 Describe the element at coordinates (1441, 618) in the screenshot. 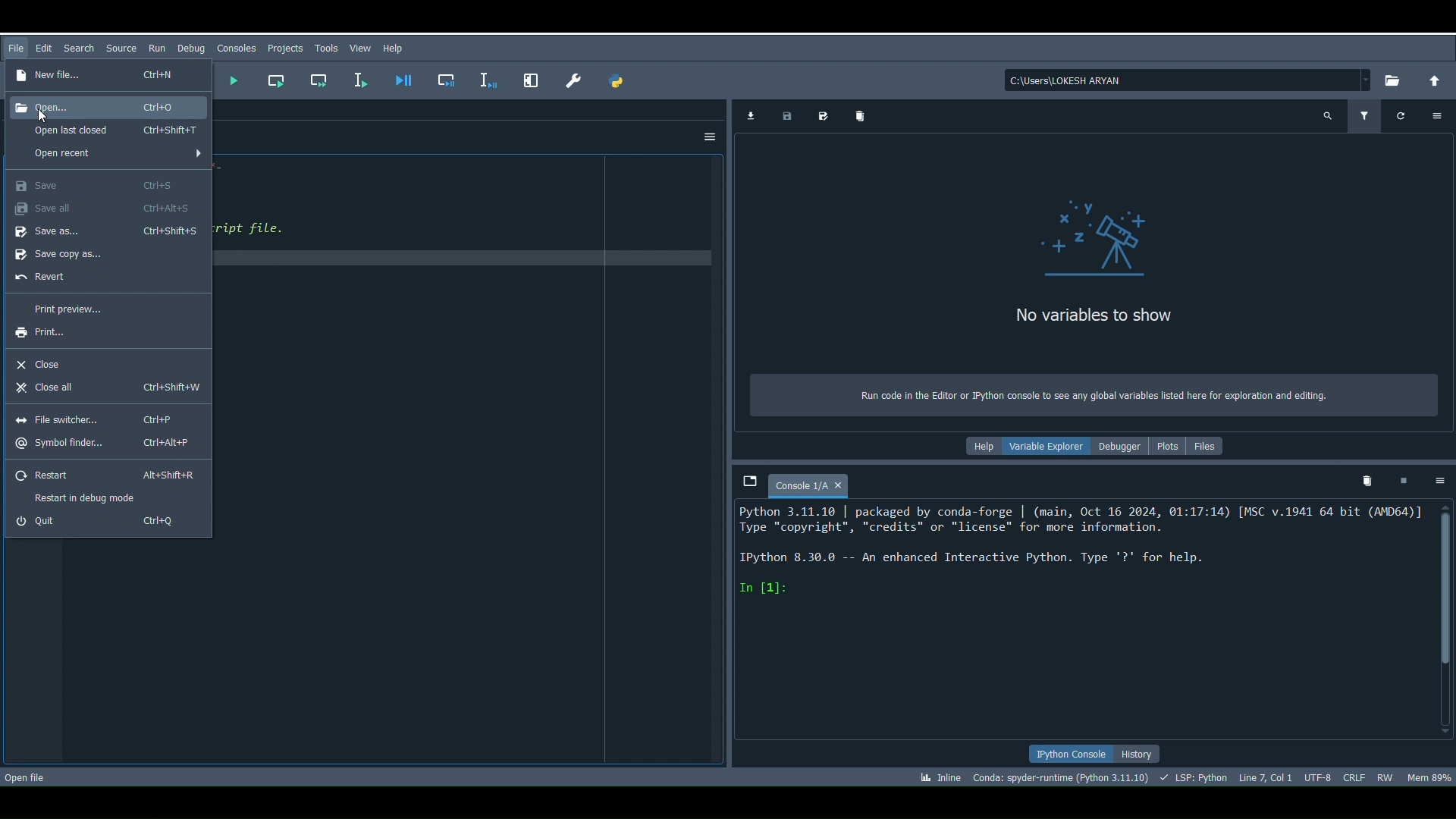

I see `Scrollbar` at that location.